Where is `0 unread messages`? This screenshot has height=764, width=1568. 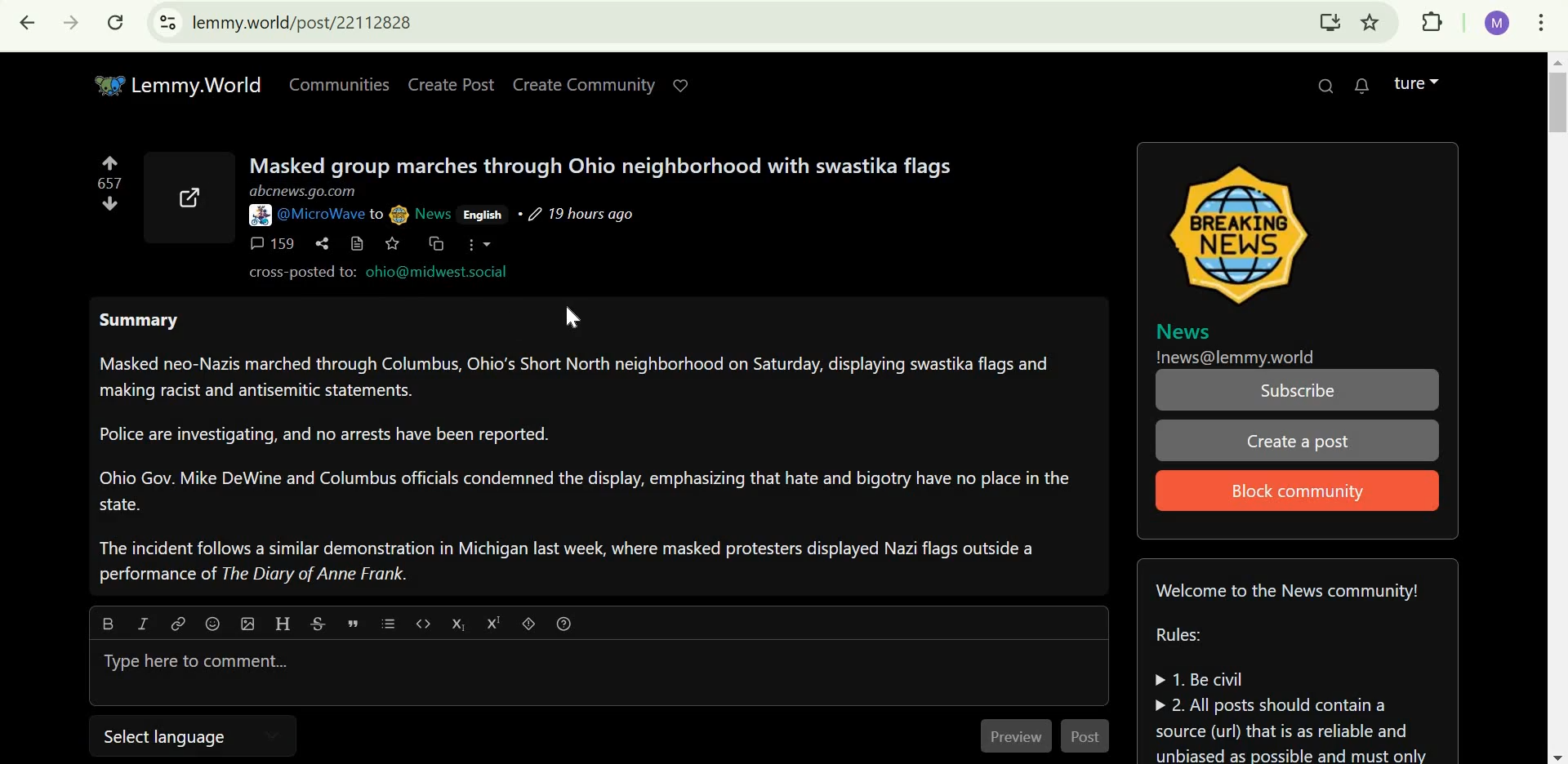 0 unread messages is located at coordinates (1363, 86).